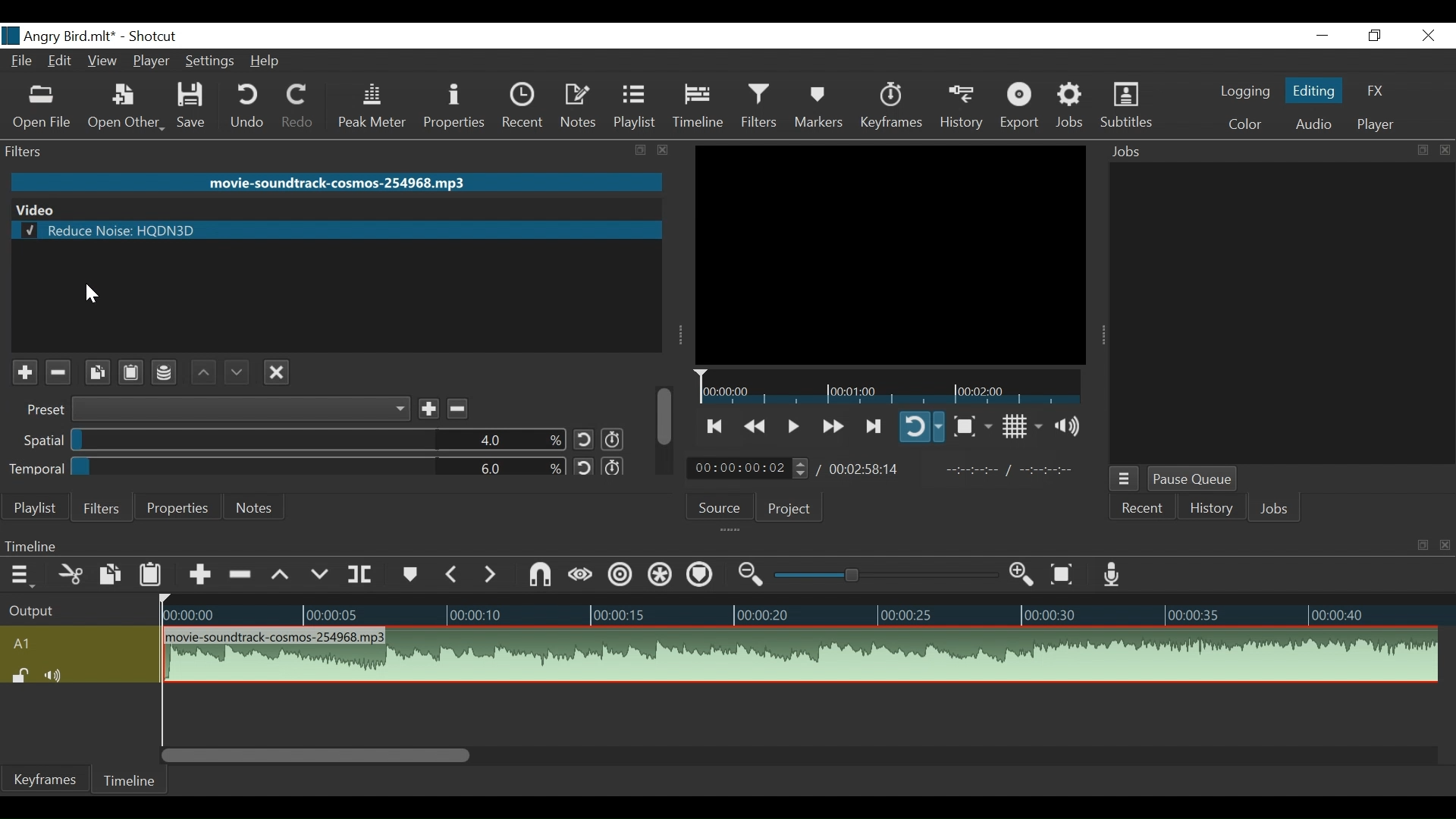 This screenshot has height=819, width=1456. Describe the element at coordinates (93, 294) in the screenshot. I see `cursor` at that location.